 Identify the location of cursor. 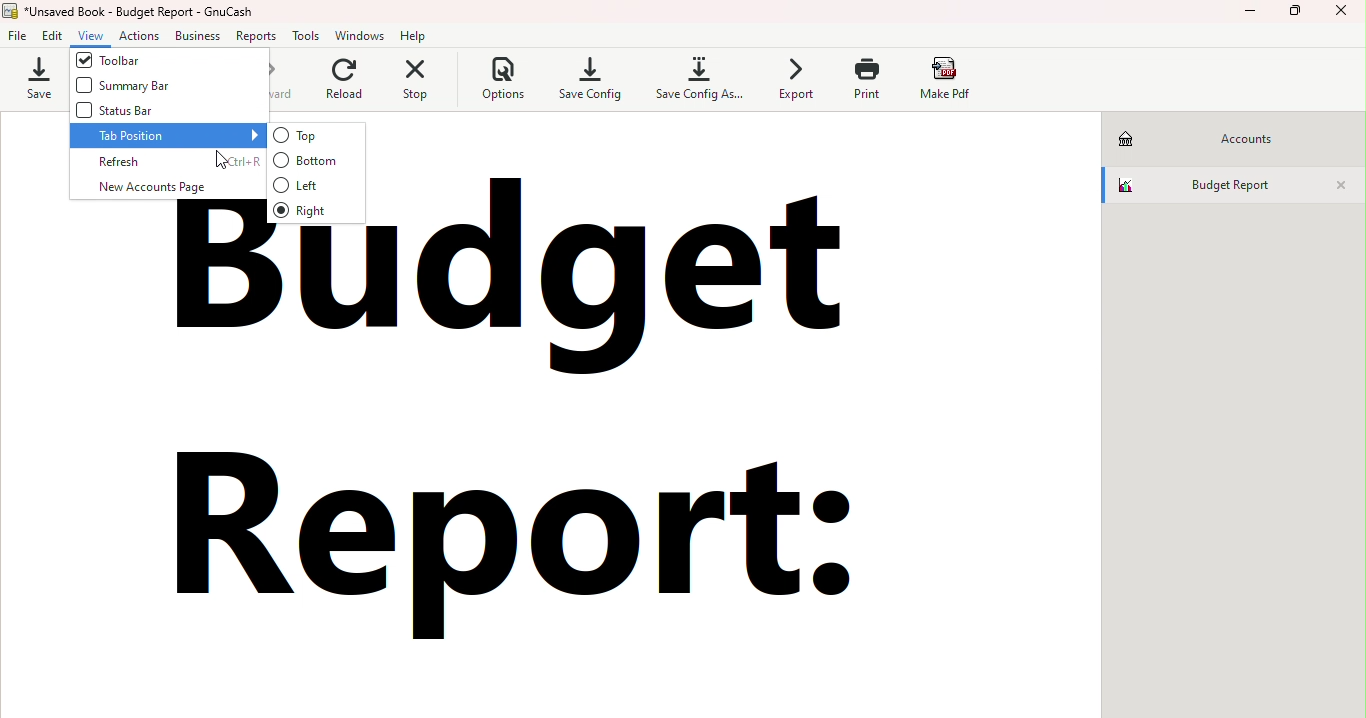
(222, 161).